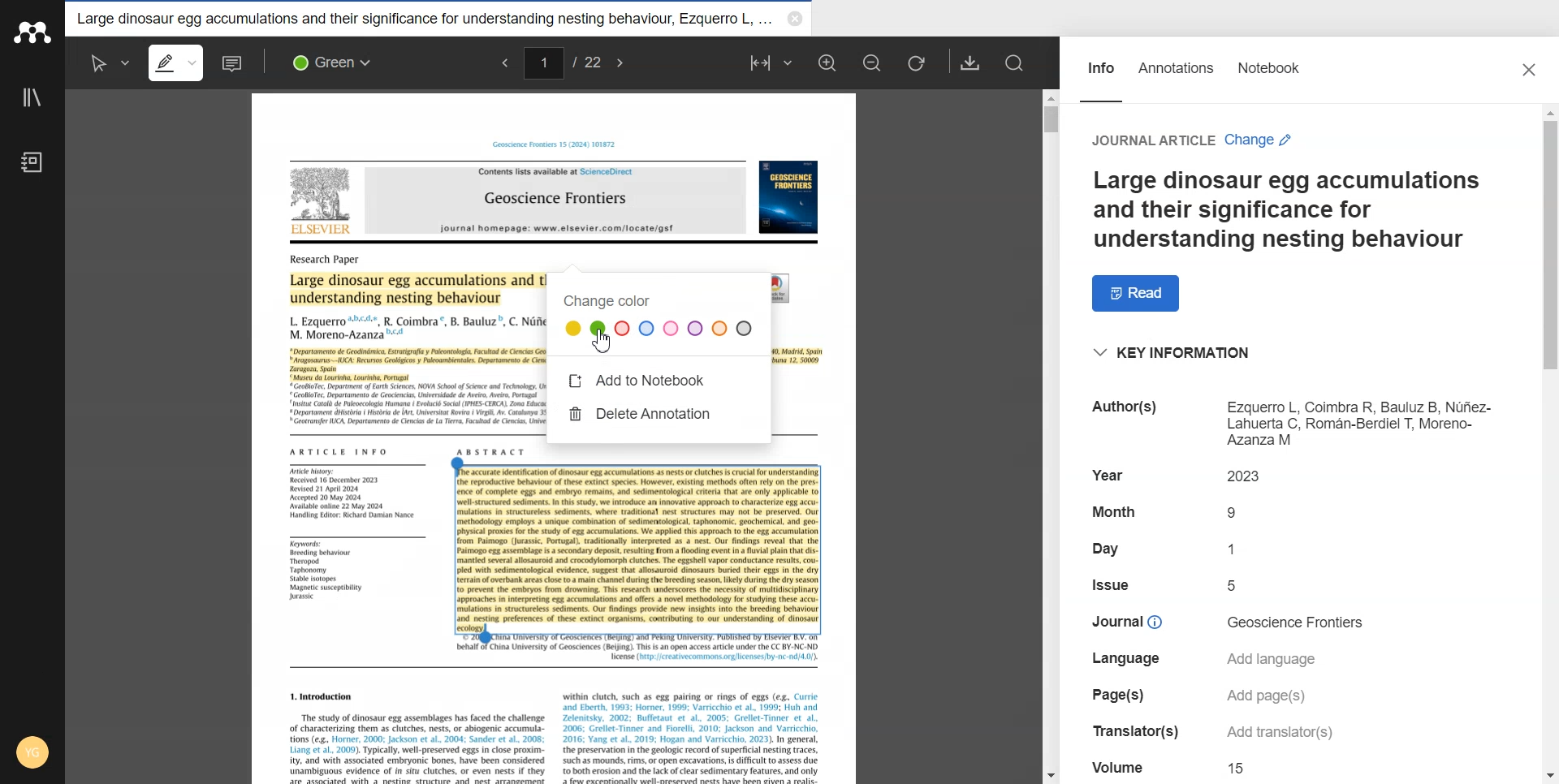  What do you see at coordinates (32, 689) in the screenshot?
I see `Auto sync` at bounding box center [32, 689].